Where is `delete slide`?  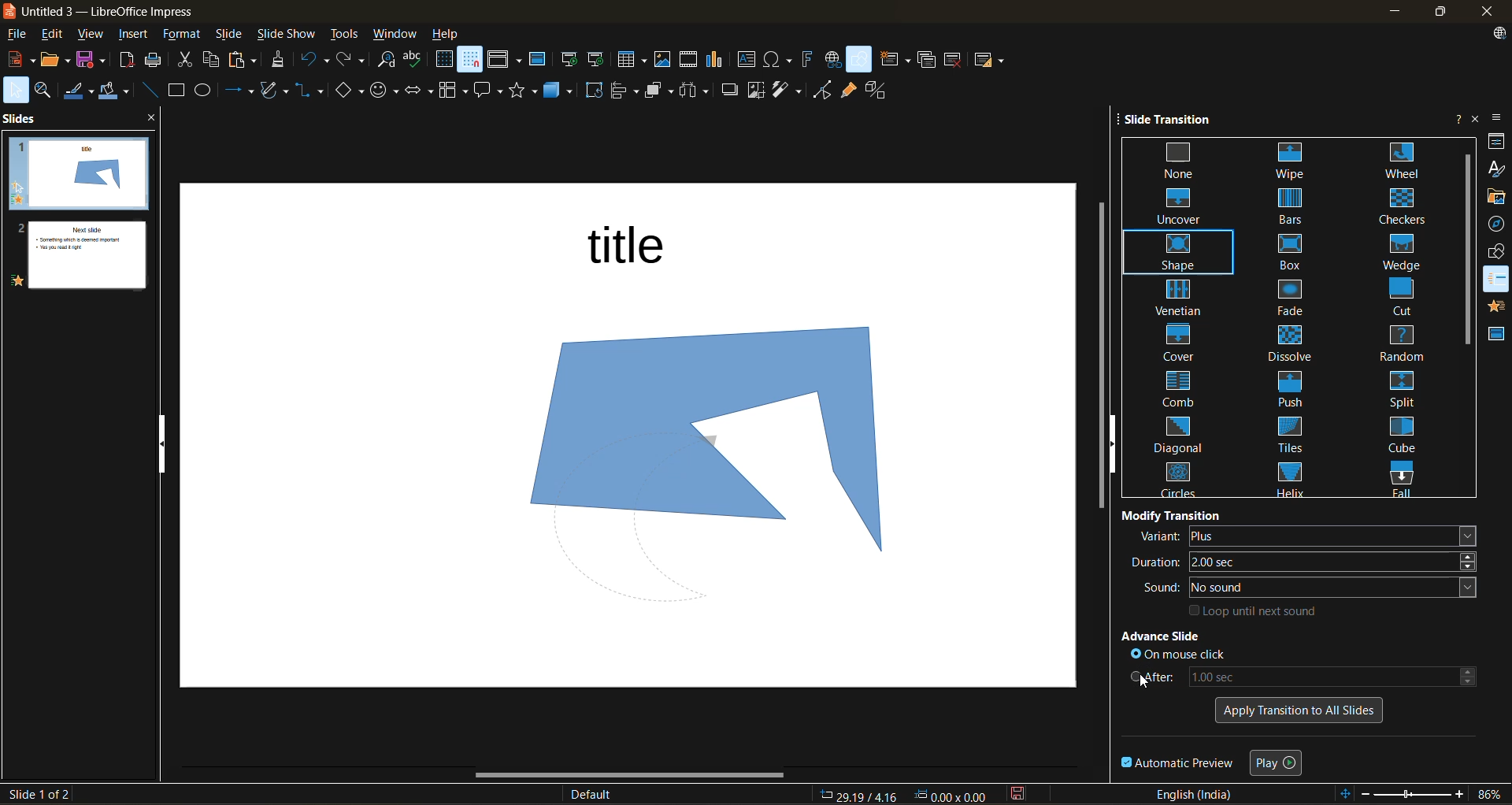 delete slide is located at coordinates (954, 59).